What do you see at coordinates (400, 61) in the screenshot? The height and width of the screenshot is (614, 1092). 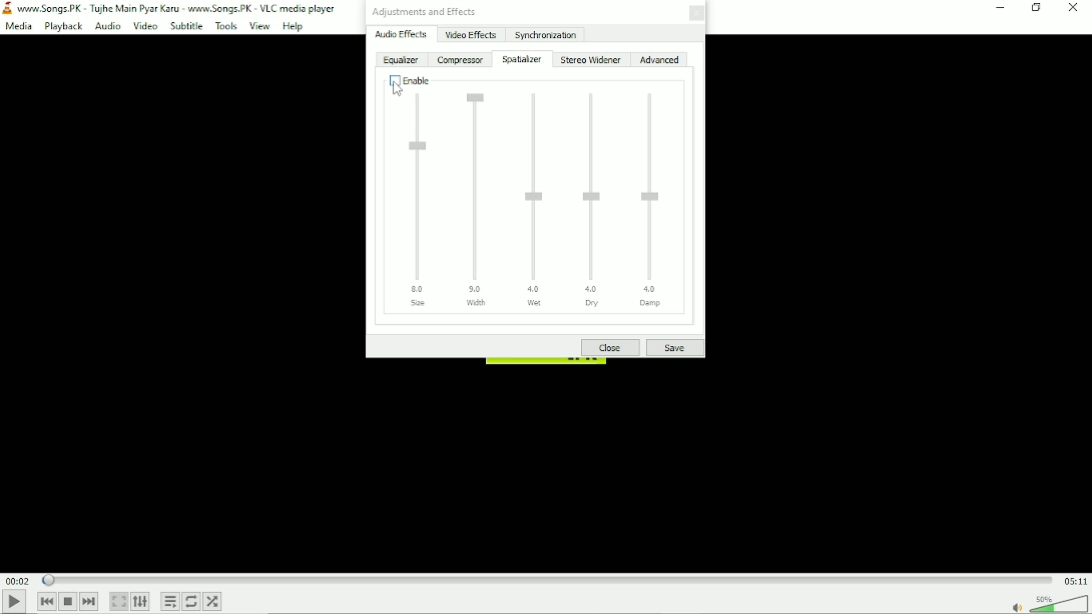 I see `Equalizer` at bounding box center [400, 61].